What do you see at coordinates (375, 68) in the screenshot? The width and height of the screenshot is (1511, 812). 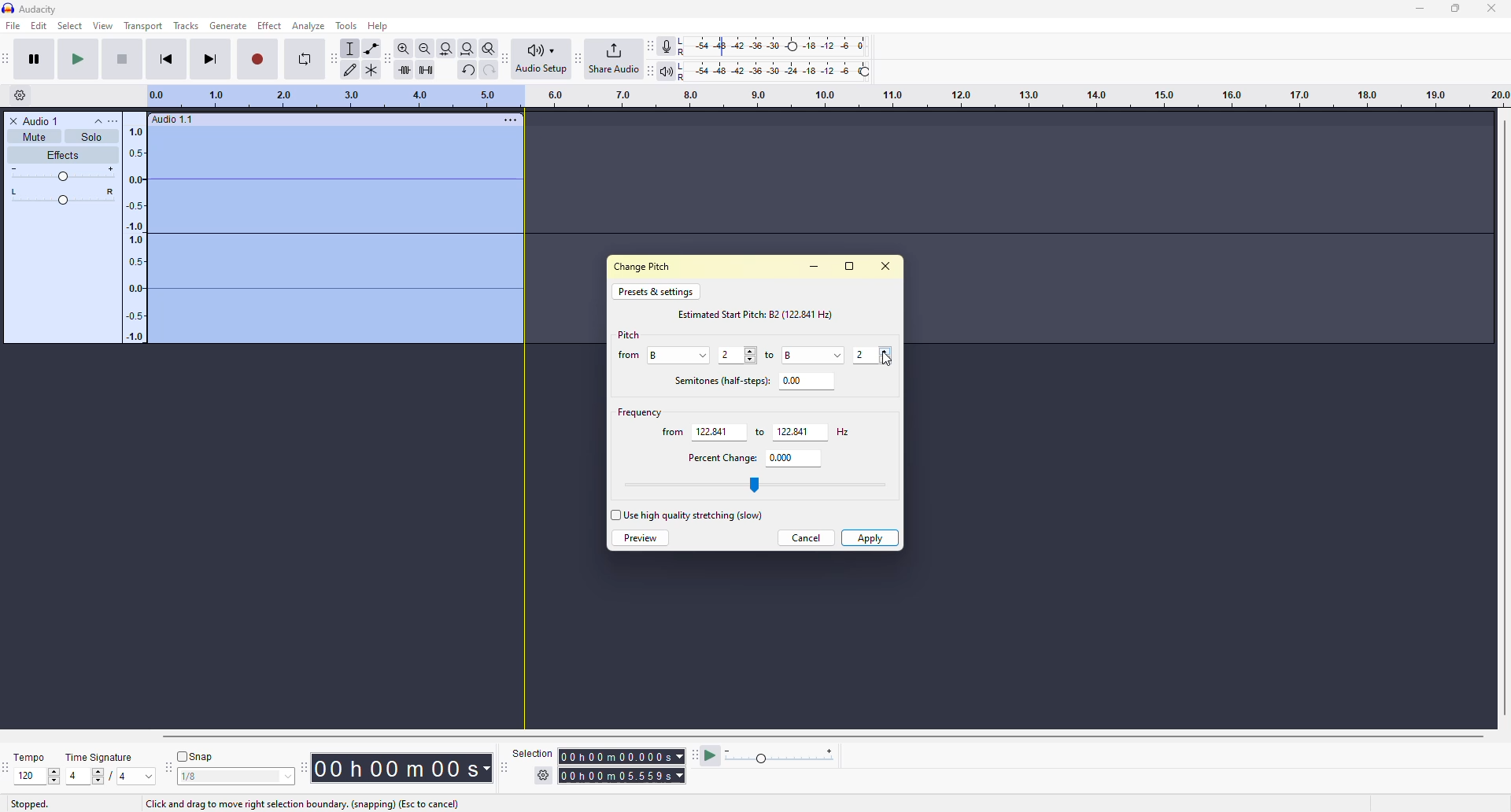 I see `multi tool` at bounding box center [375, 68].